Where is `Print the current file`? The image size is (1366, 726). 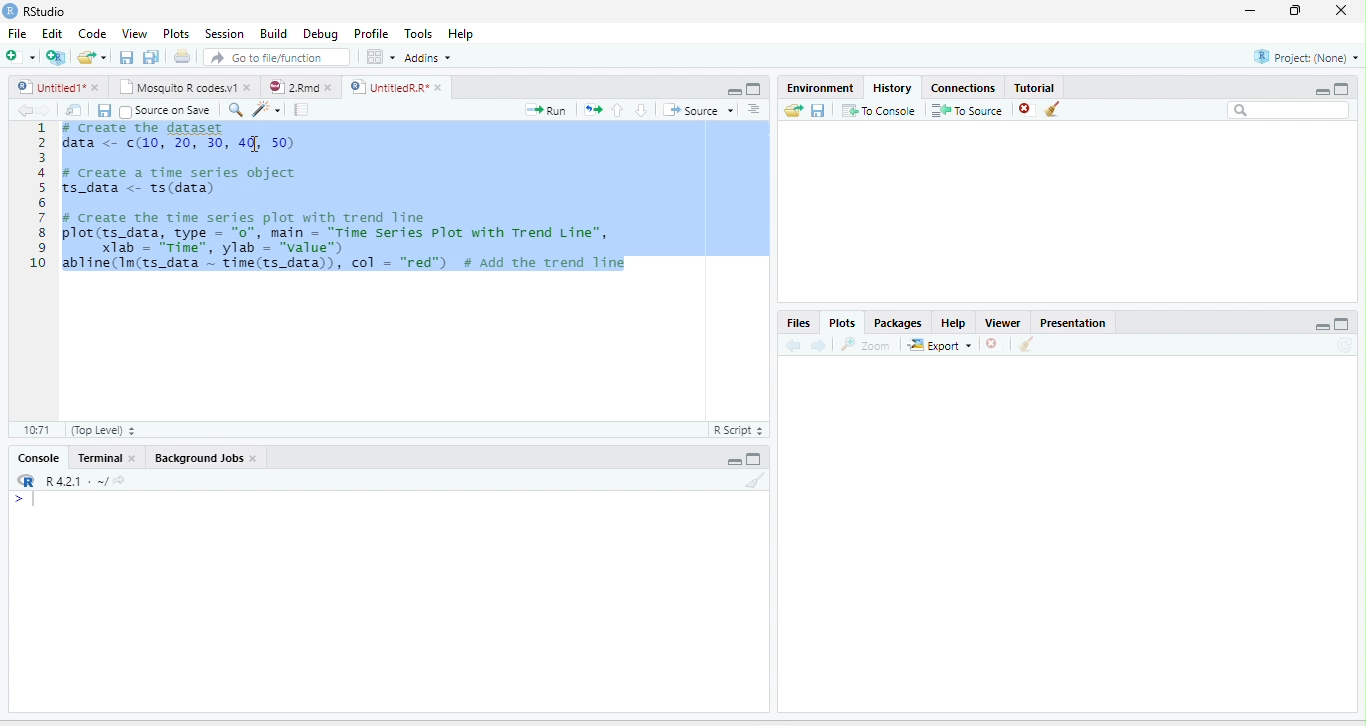
Print the current file is located at coordinates (181, 56).